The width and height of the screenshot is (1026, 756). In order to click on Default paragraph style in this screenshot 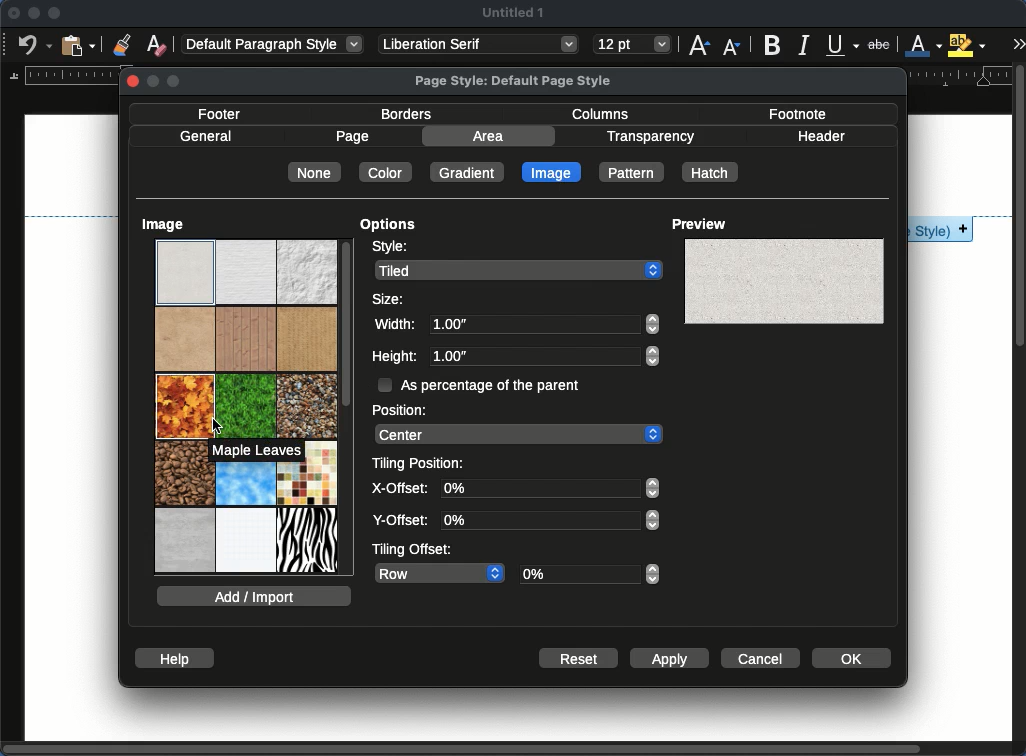, I will do `click(272, 44)`.